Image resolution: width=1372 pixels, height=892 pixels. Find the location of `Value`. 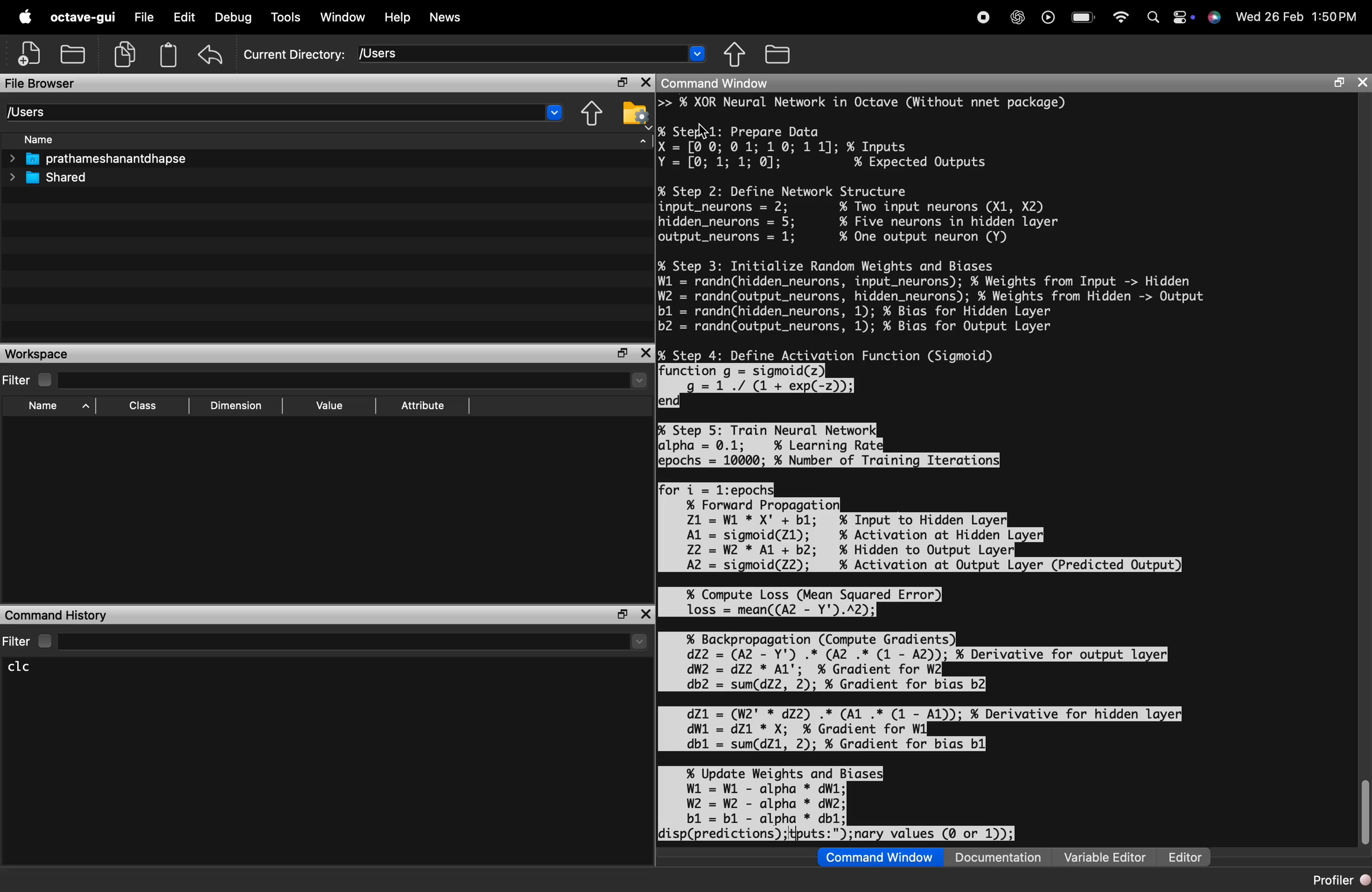

Value is located at coordinates (329, 407).